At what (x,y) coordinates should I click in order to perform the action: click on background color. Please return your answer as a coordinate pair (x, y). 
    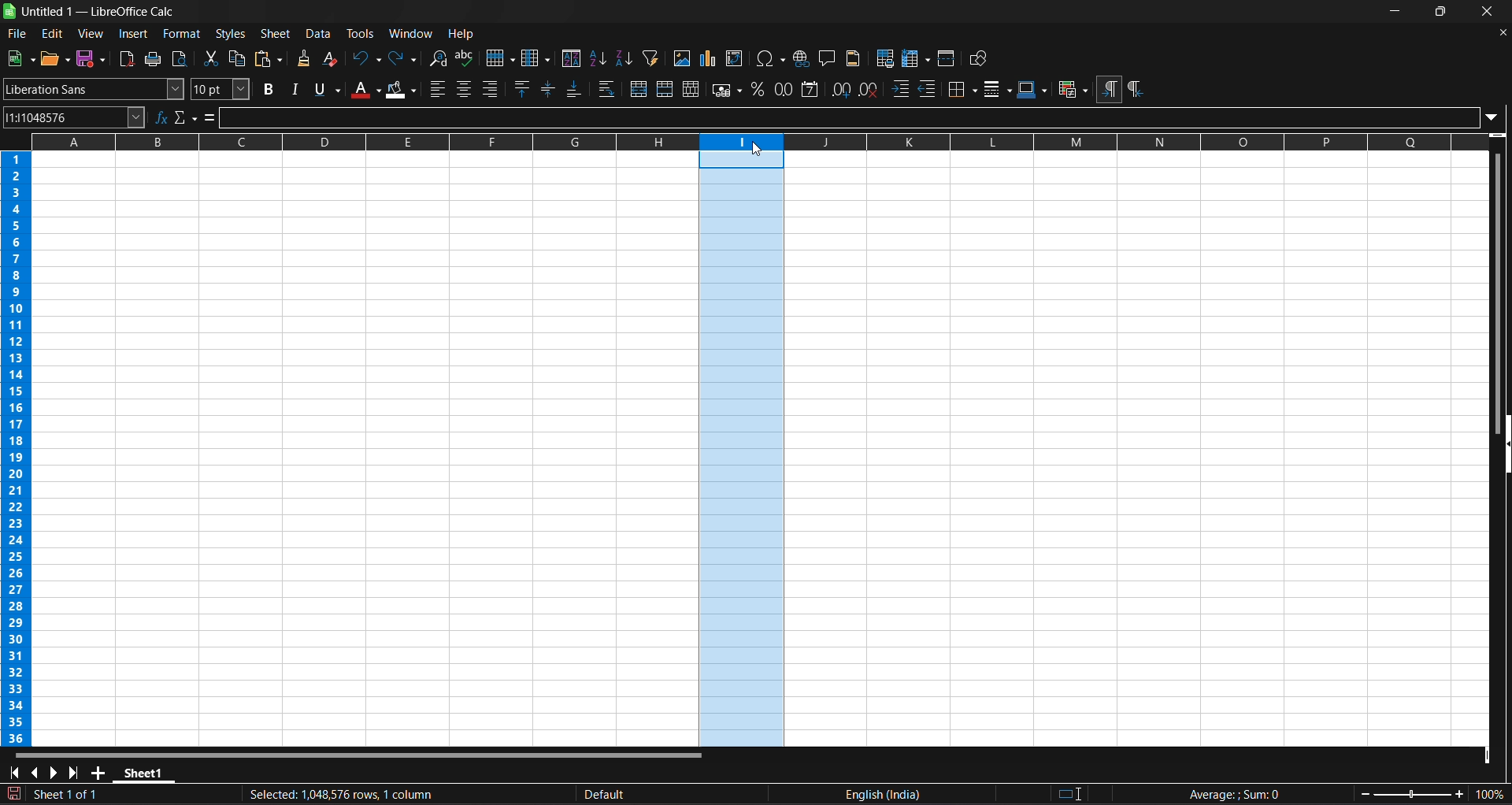
    Looking at the image, I should click on (402, 91).